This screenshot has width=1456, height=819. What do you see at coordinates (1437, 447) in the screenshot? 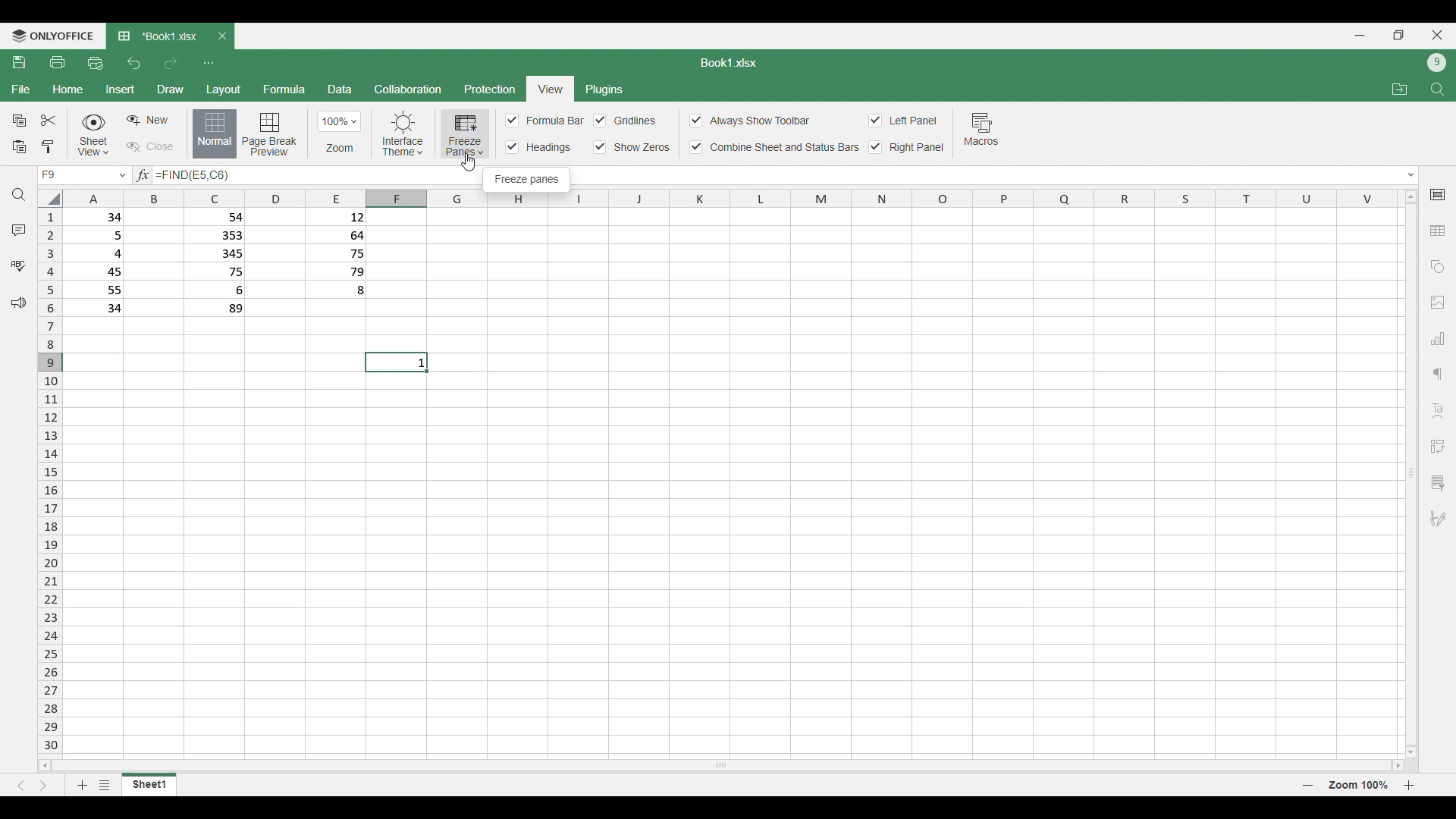
I see `Insert pivot table` at bounding box center [1437, 447].